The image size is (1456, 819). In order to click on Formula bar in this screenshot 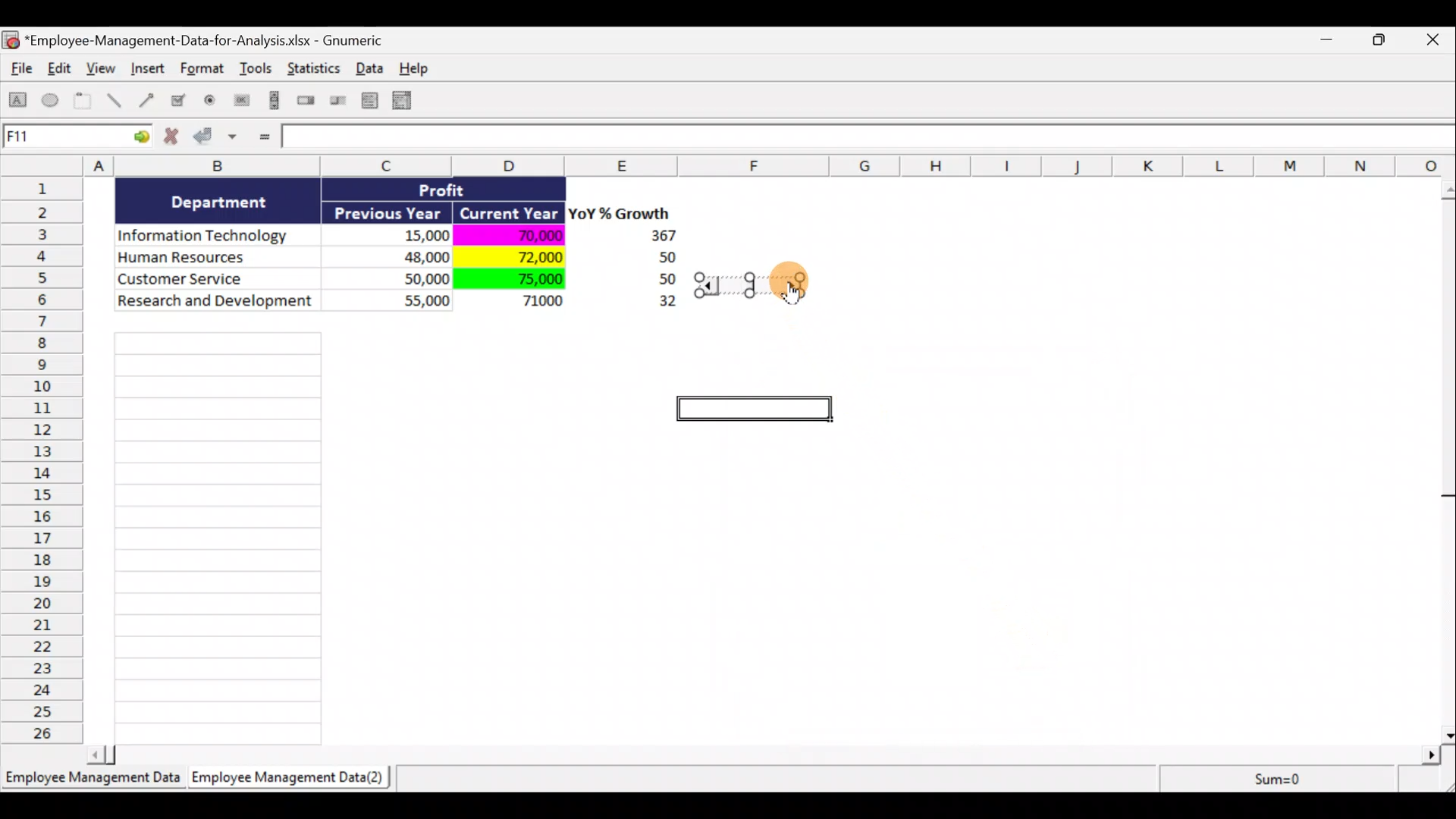, I will do `click(870, 140)`.